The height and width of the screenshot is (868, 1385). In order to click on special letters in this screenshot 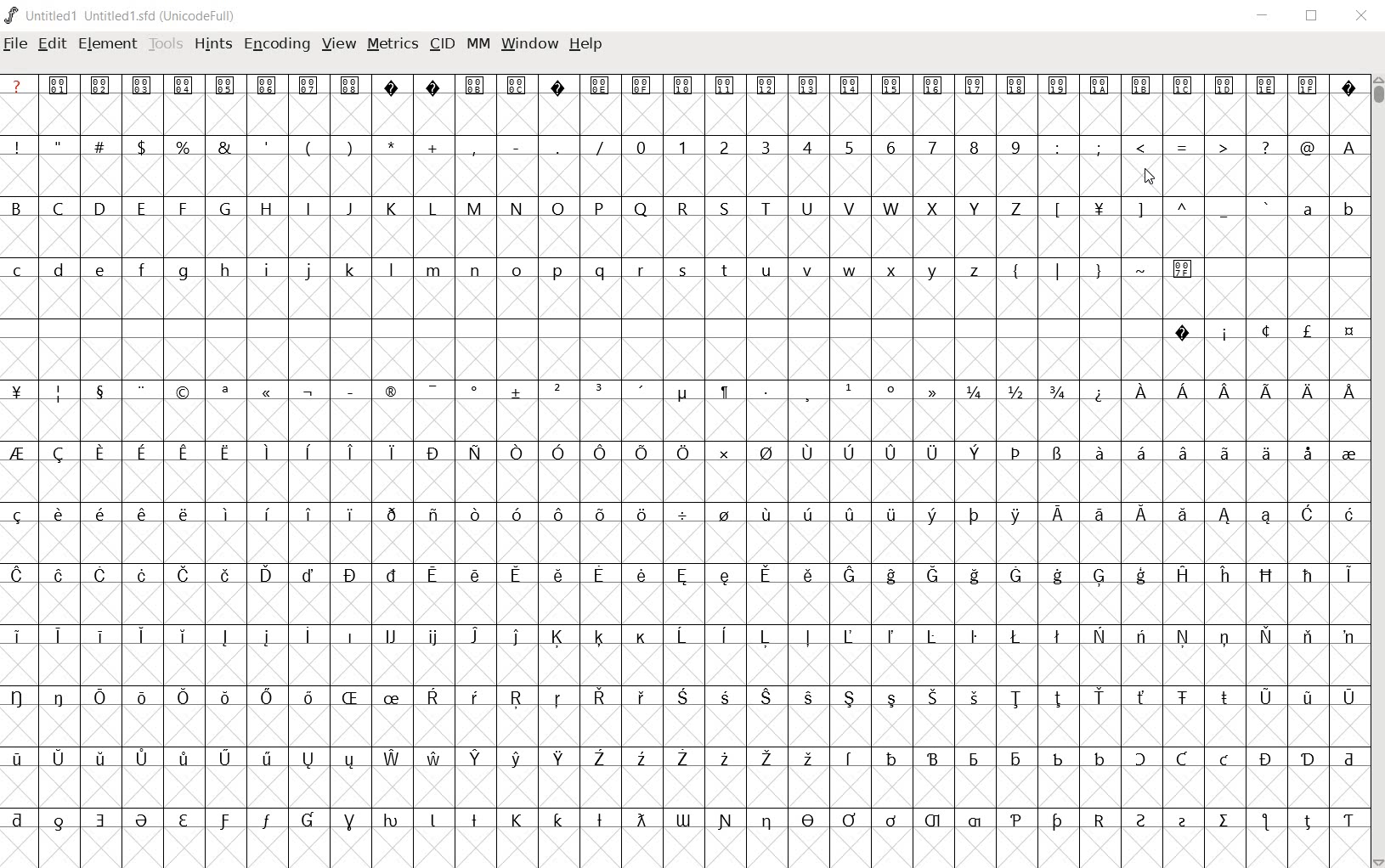, I will do `click(687, 573)`.